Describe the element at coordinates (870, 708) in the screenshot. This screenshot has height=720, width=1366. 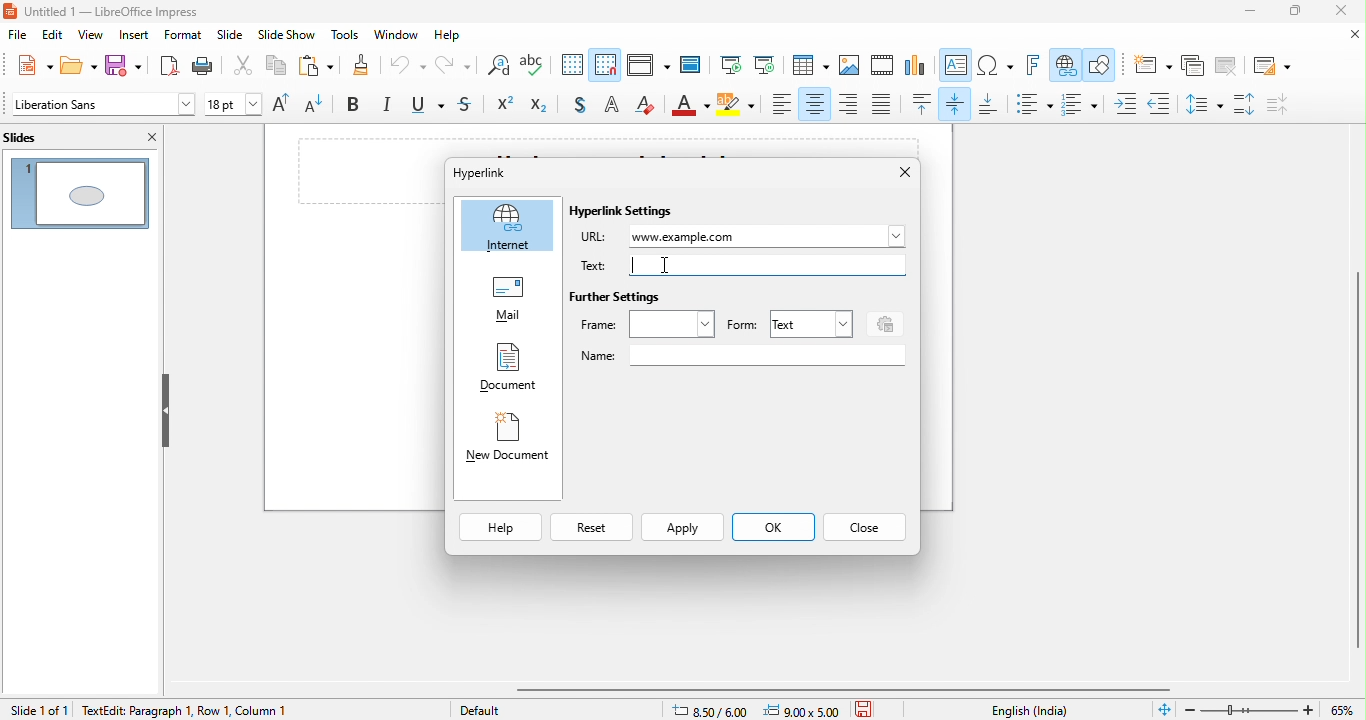
I see `save the document` at that location.